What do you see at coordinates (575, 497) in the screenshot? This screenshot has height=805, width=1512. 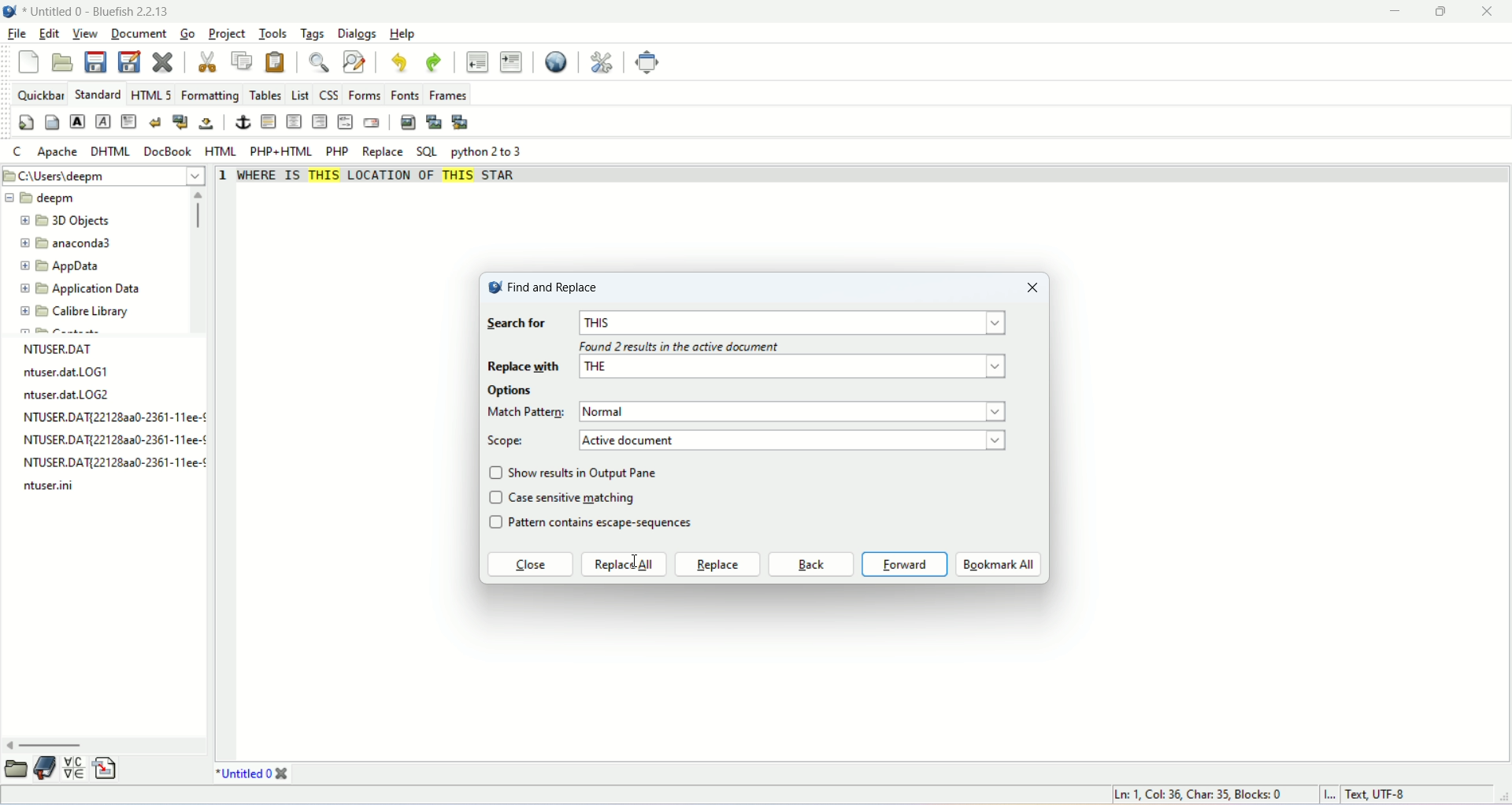 I see `case sensitive matching` at bounding box center [575, 497].